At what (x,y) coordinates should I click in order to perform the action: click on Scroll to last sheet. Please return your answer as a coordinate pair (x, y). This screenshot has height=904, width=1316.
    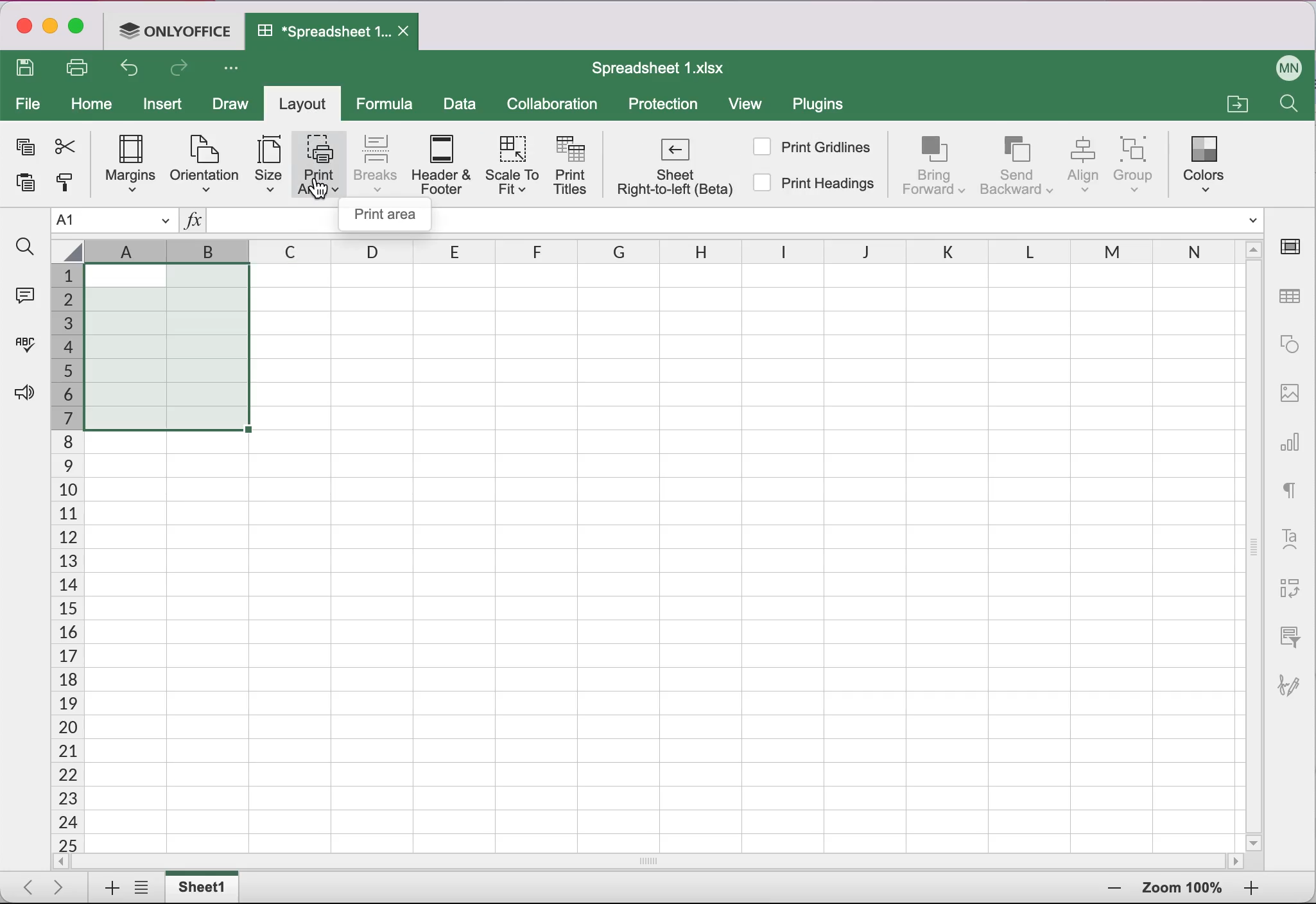
    Looking at the image, I should click on (64, 886).